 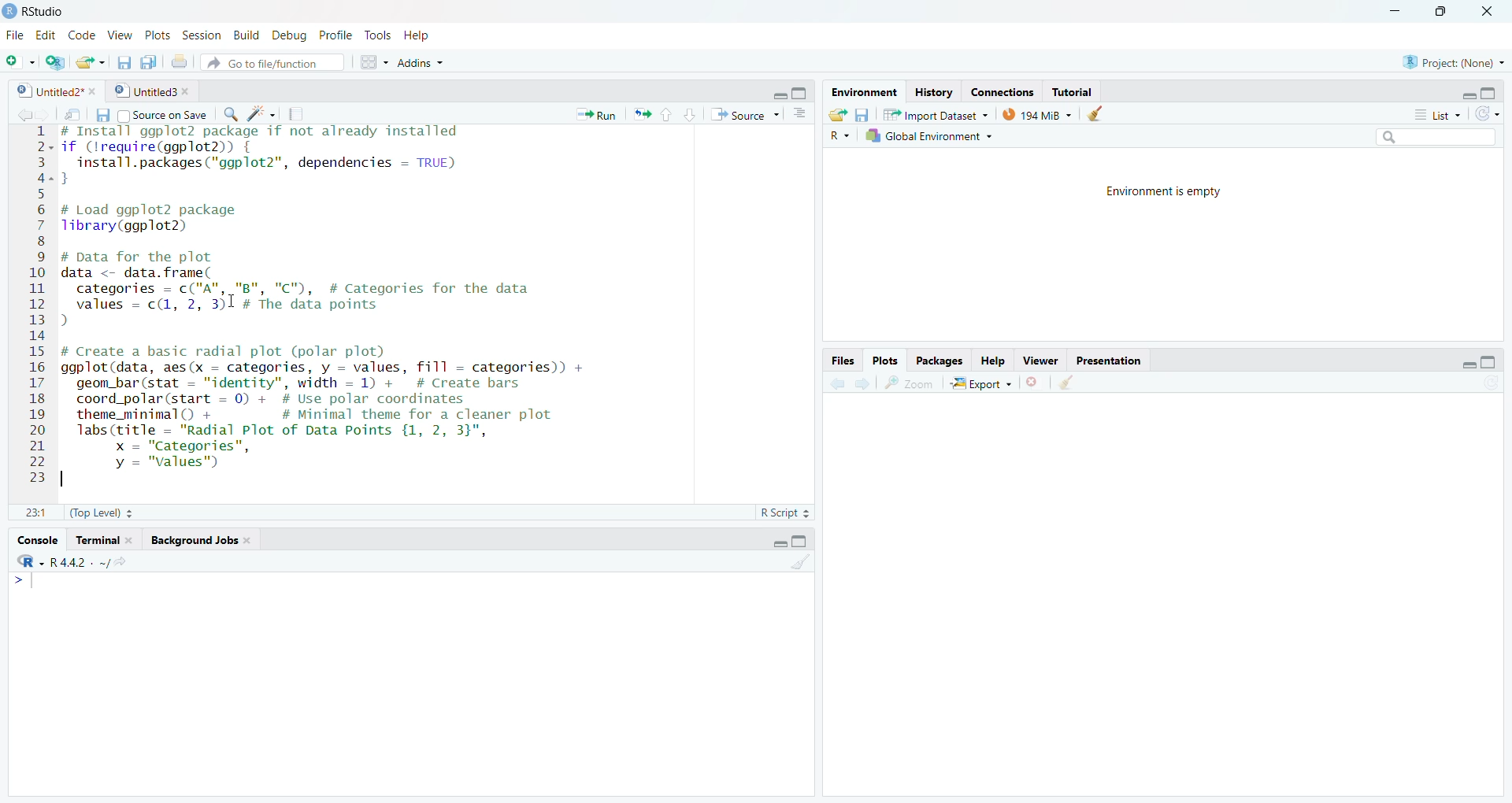 What do you see at coordinates (864, 384) in the screenshot?
I see `move forward` at bounding box center [864, 384].